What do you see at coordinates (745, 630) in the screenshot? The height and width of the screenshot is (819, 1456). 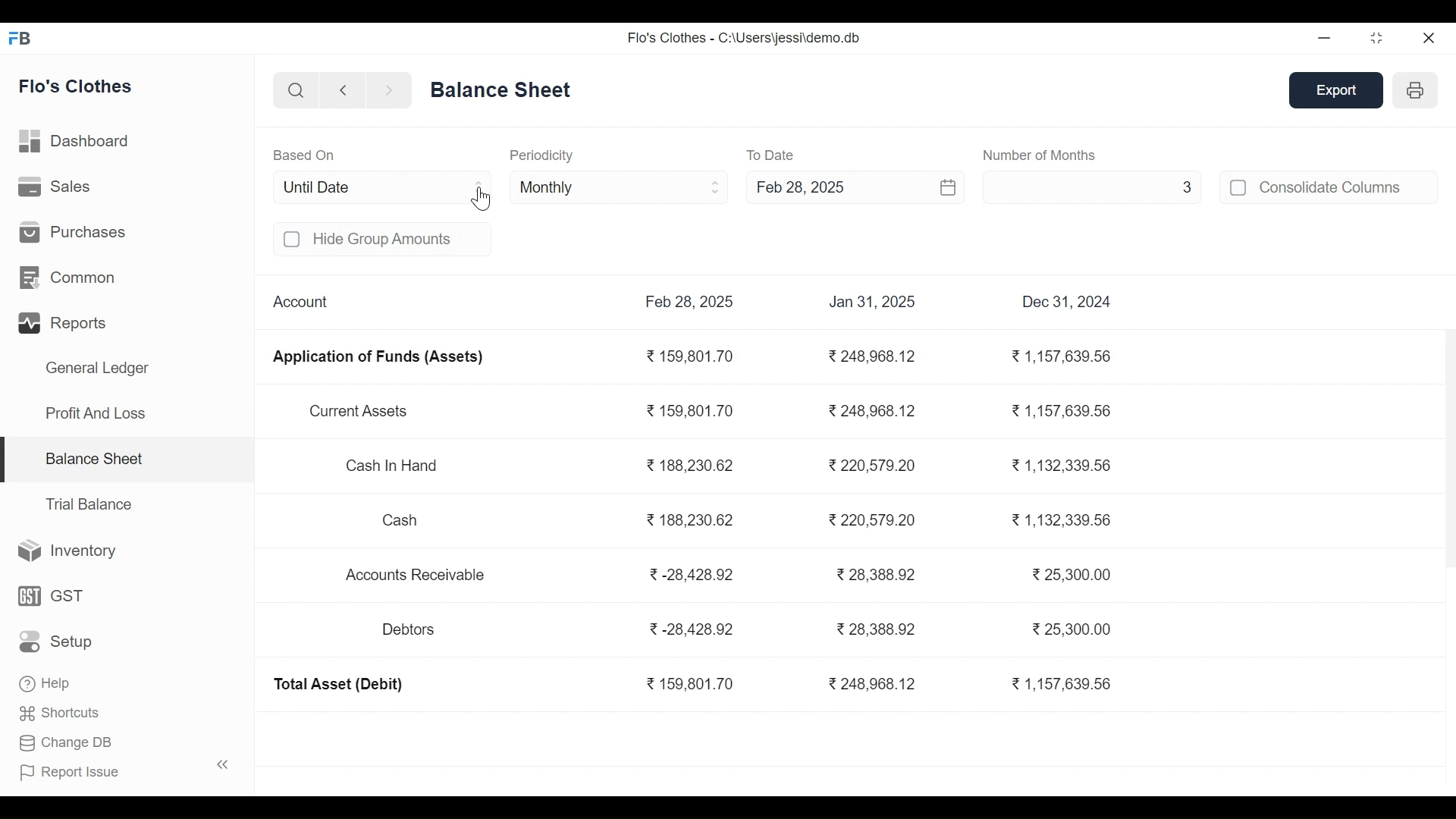 I see `Debtors %-28,428.92 % 28,388.92 ¥ 25,300.00` at bounding box center [745, 630].